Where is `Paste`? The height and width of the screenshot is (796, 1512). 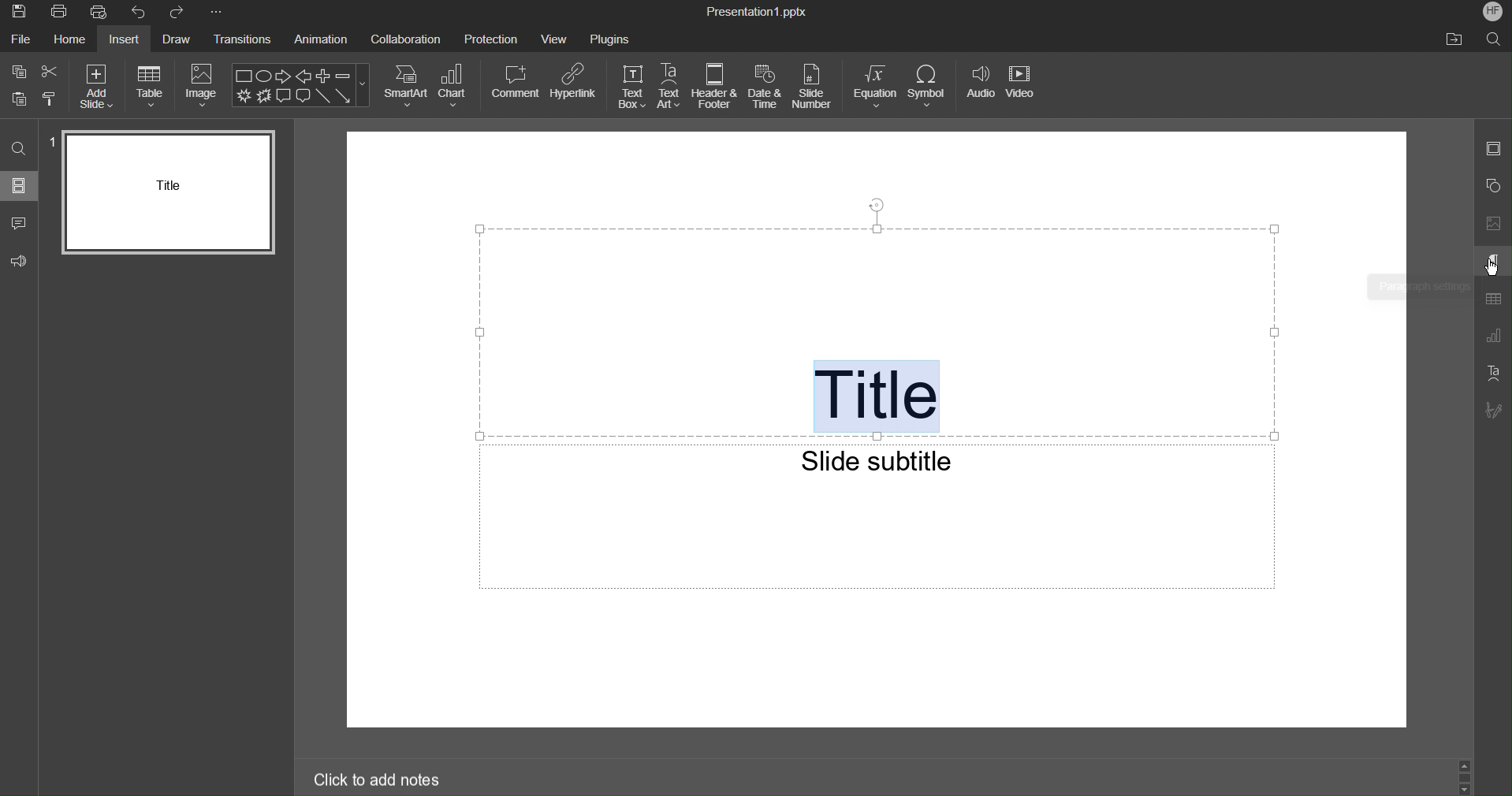
Paste is located at coordinates (17, 99).